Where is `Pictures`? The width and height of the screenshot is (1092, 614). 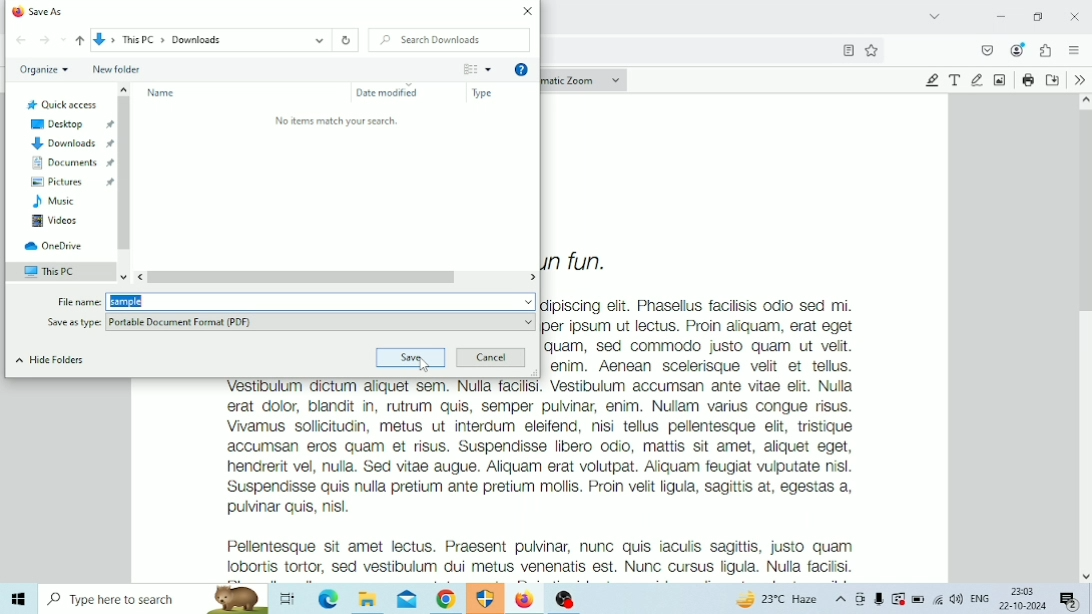 Pictures is located at coordinates (66, 182).